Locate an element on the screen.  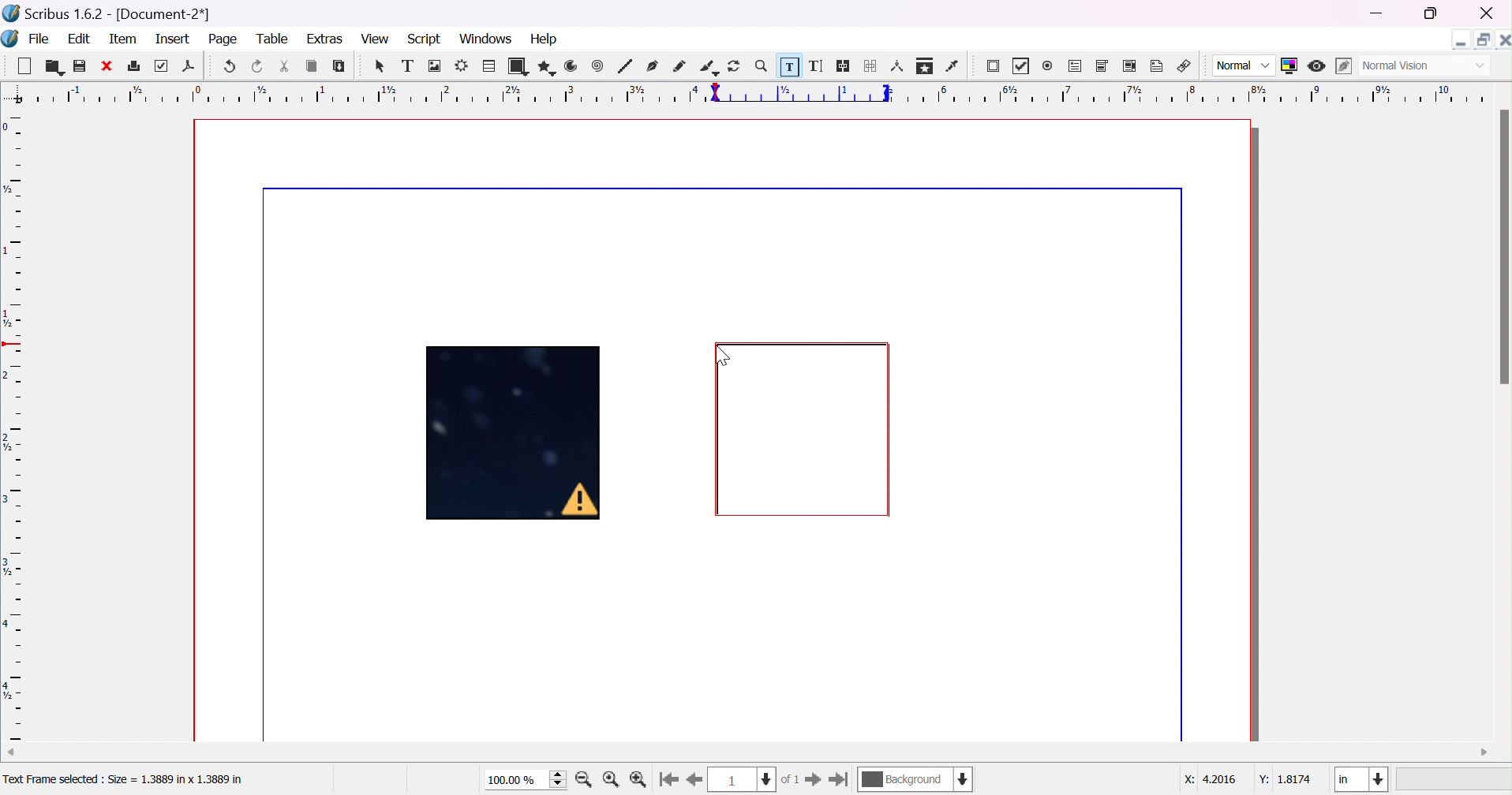
render frame is located at coordinates (462, 65).